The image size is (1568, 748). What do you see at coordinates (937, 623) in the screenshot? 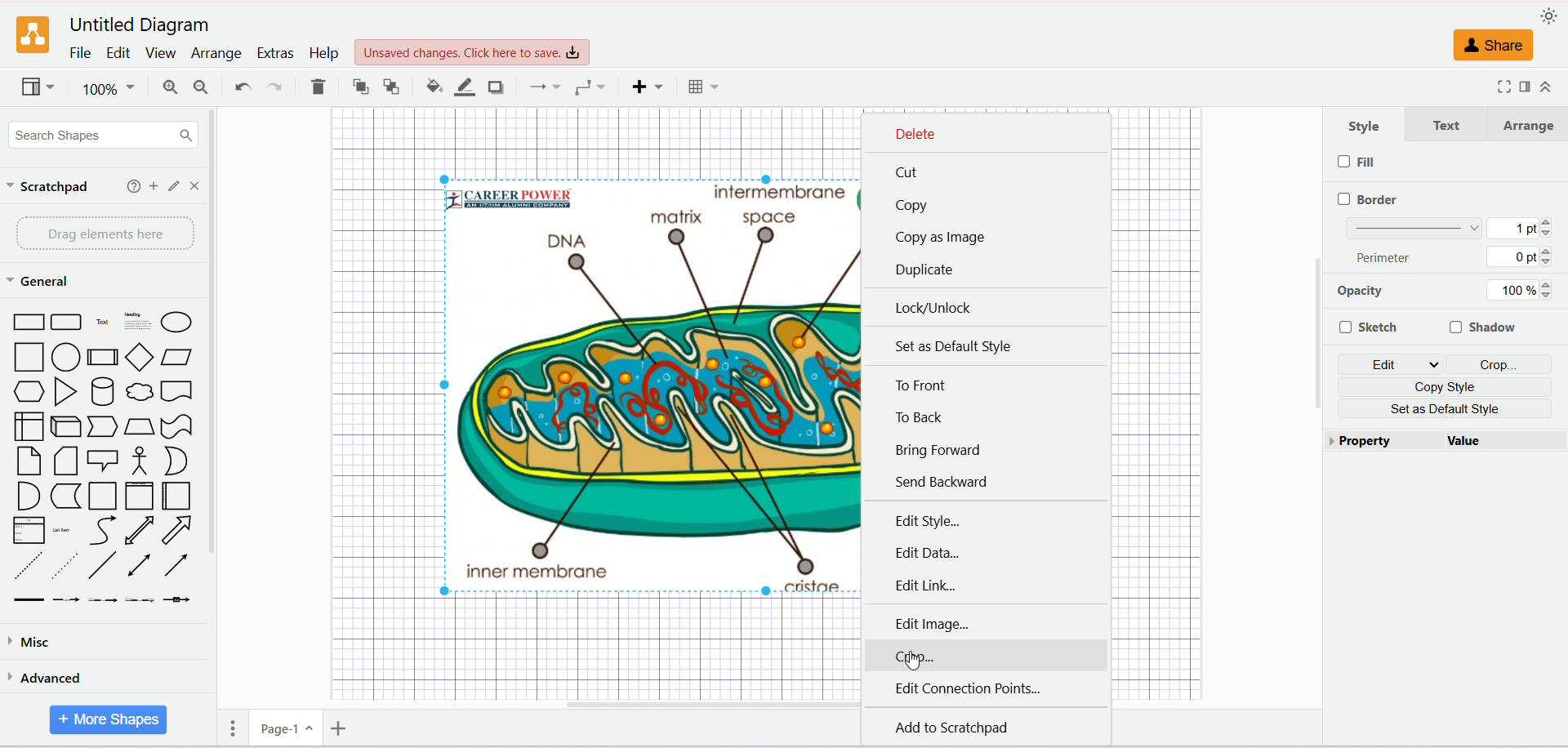
I see `edit image` at bounding box center [937, 623].